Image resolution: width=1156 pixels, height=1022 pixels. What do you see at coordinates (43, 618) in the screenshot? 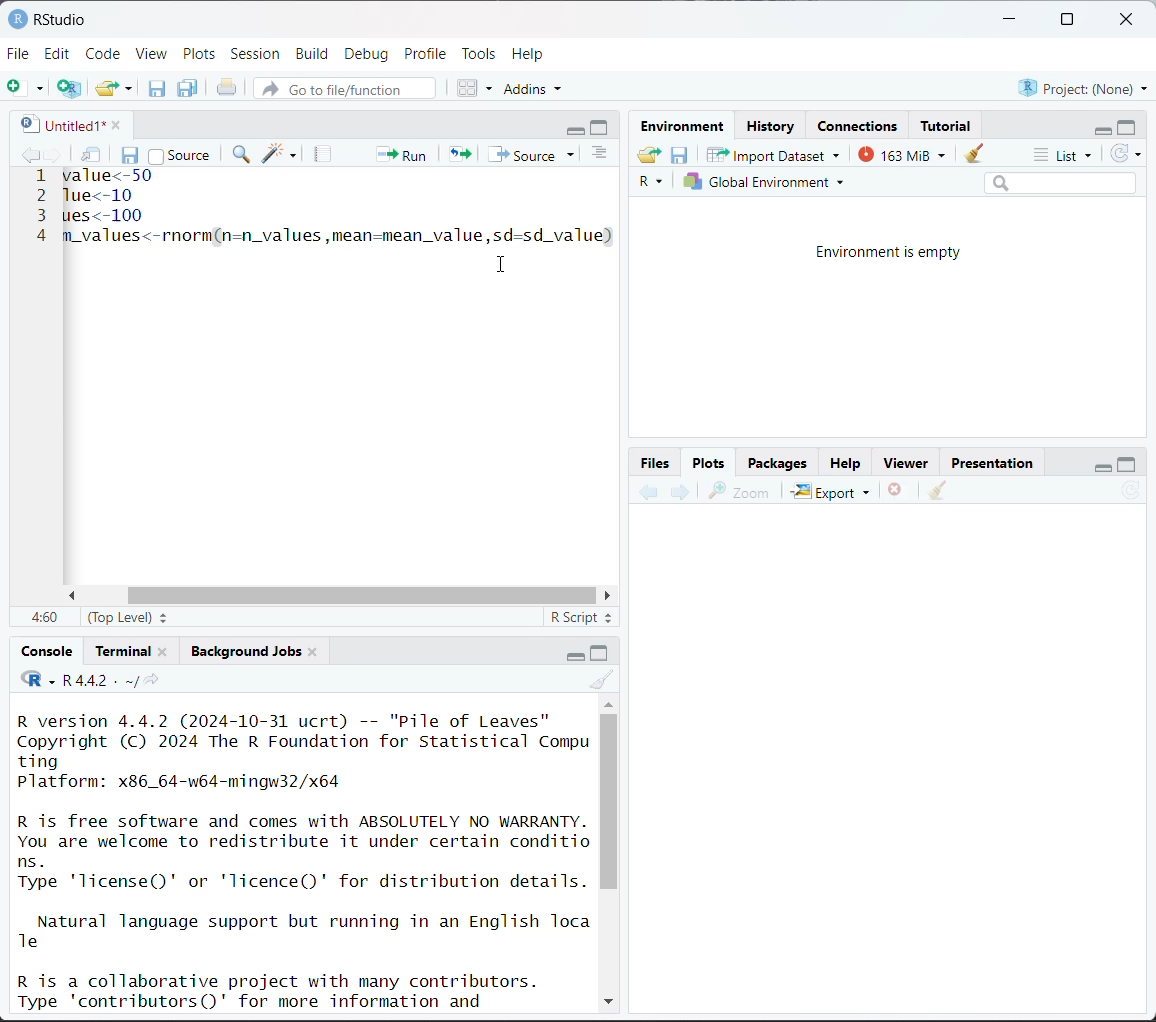
I see `4:60` at bounding box center [43, 618].